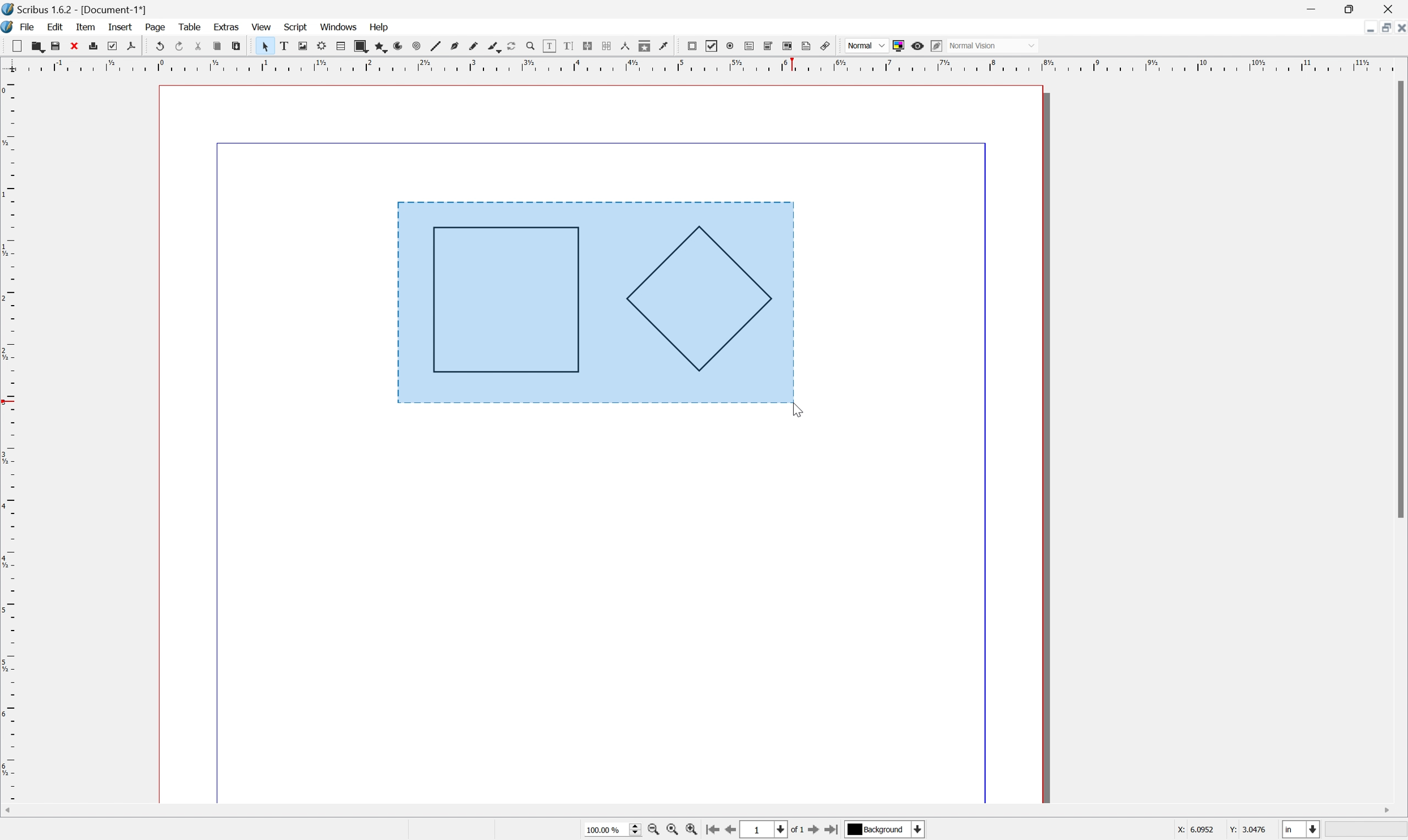  Describe the element at coordinates (1312, 8) in the screenshot. I see `Minimize` at that location.